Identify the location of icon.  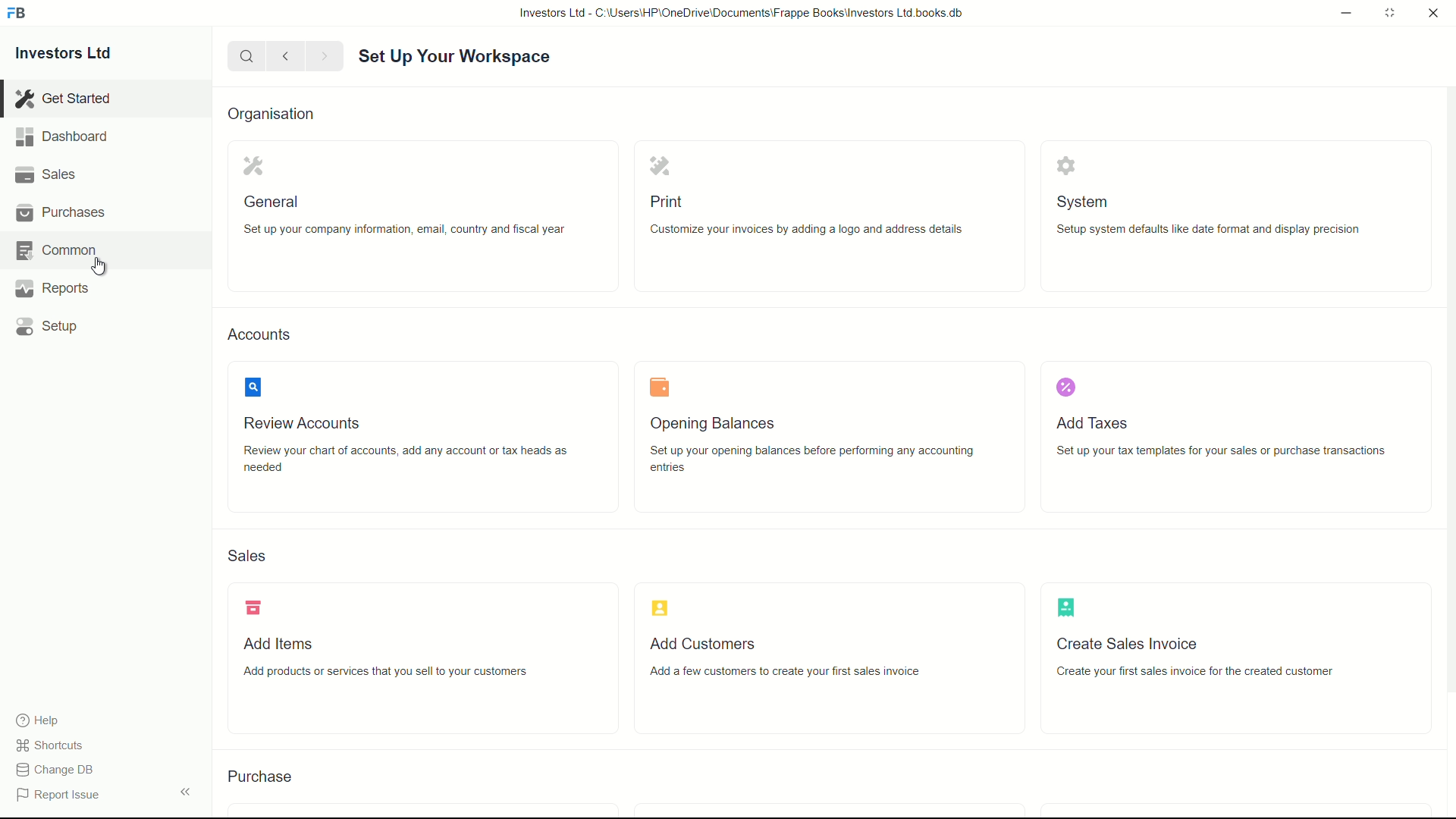
(1068, 606).